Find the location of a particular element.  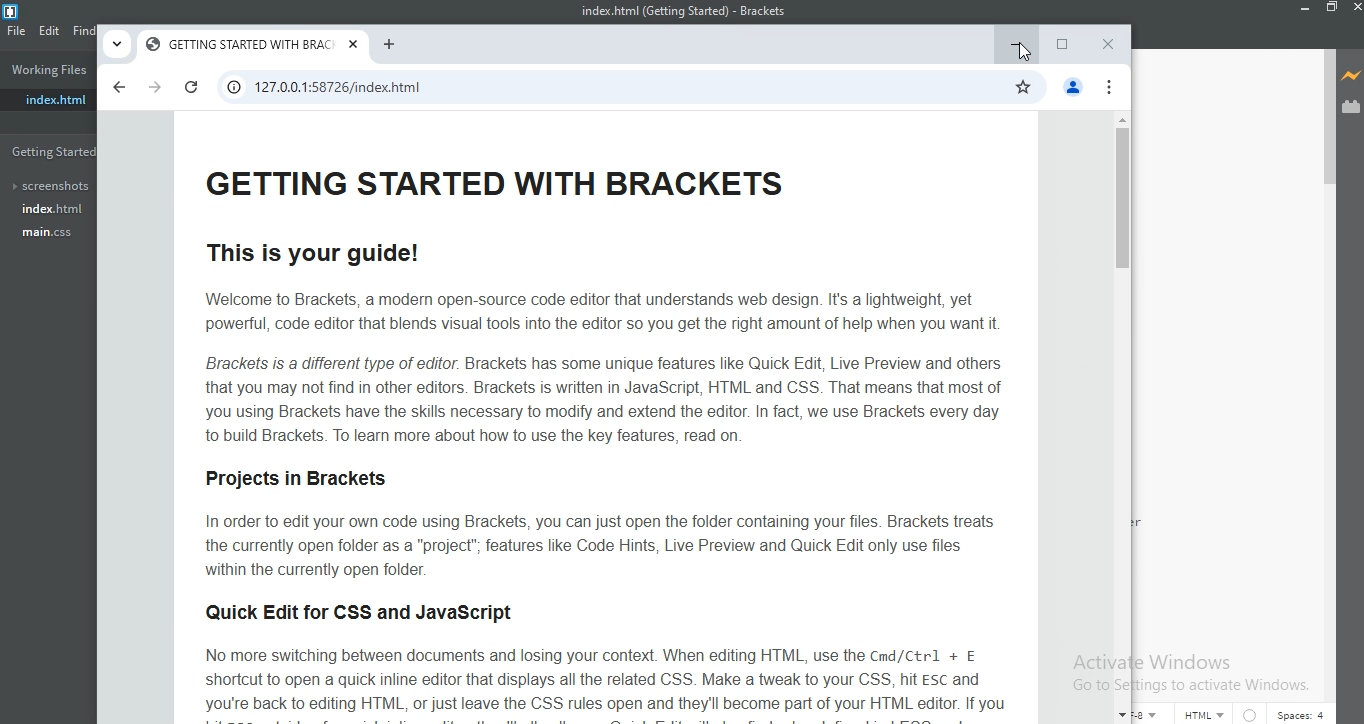

Index.html is located at coordinates (48, 99).